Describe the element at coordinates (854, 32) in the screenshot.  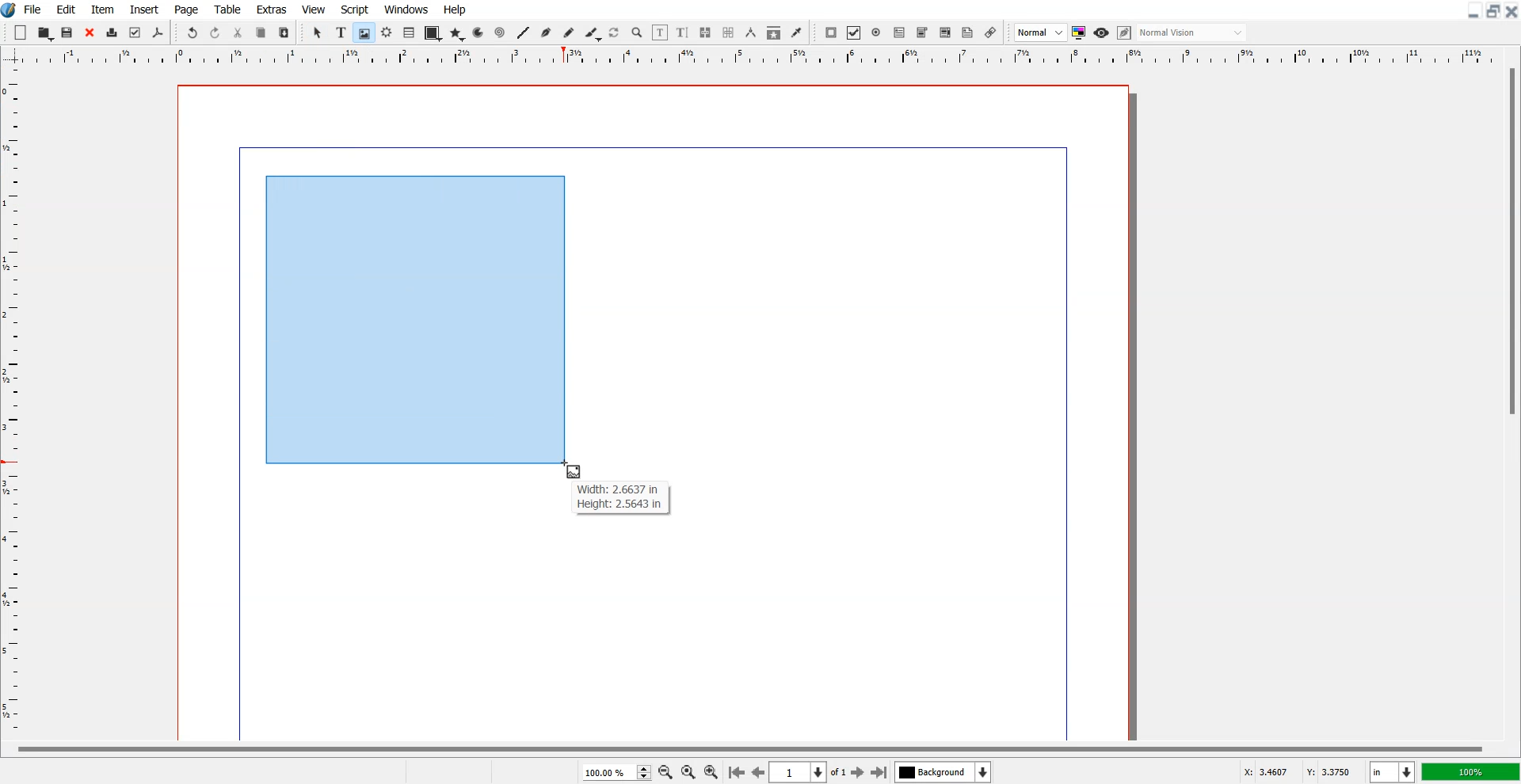
I see `PDF Check Box` at that location.